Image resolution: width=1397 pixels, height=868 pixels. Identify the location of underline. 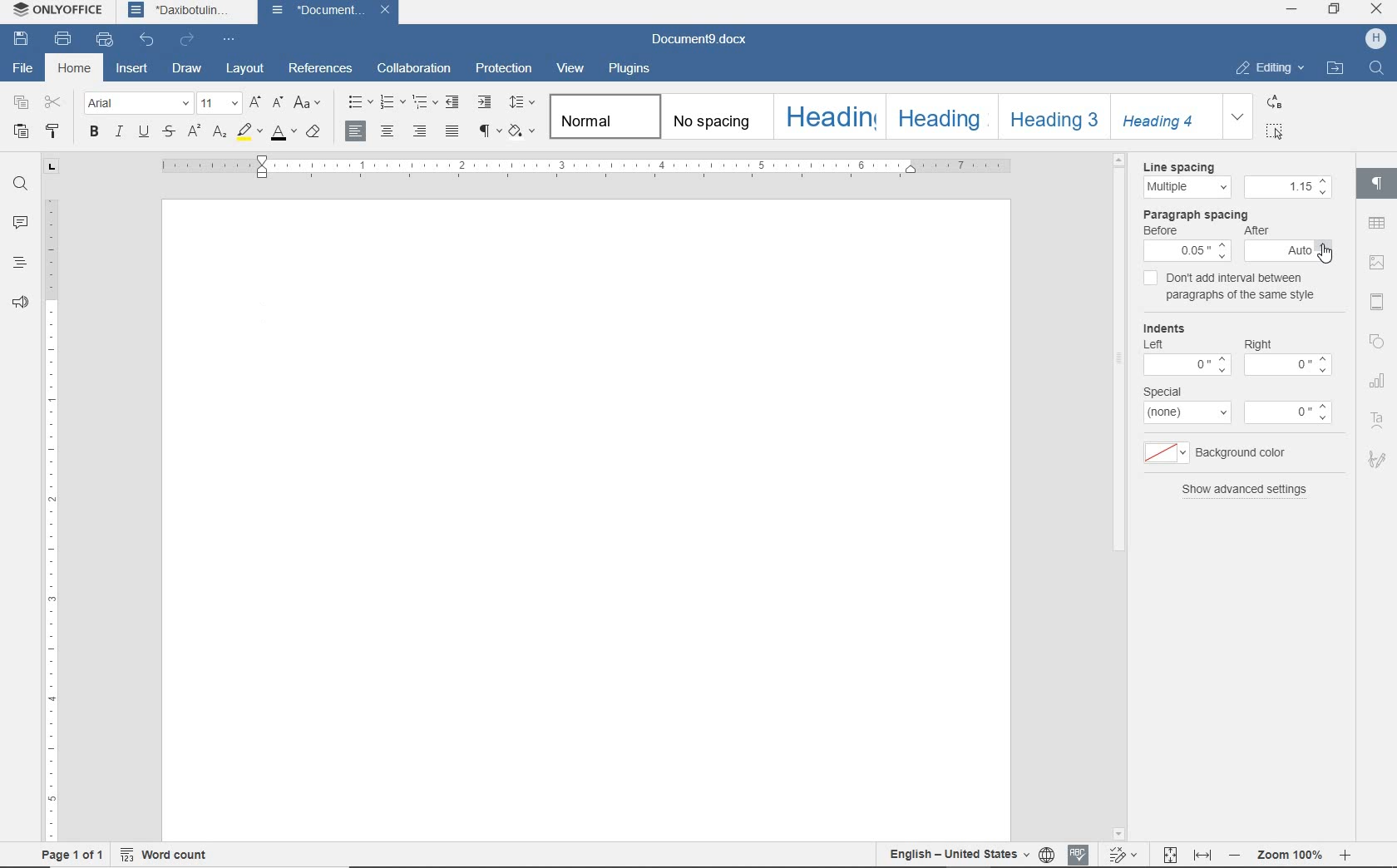
(143, 133).